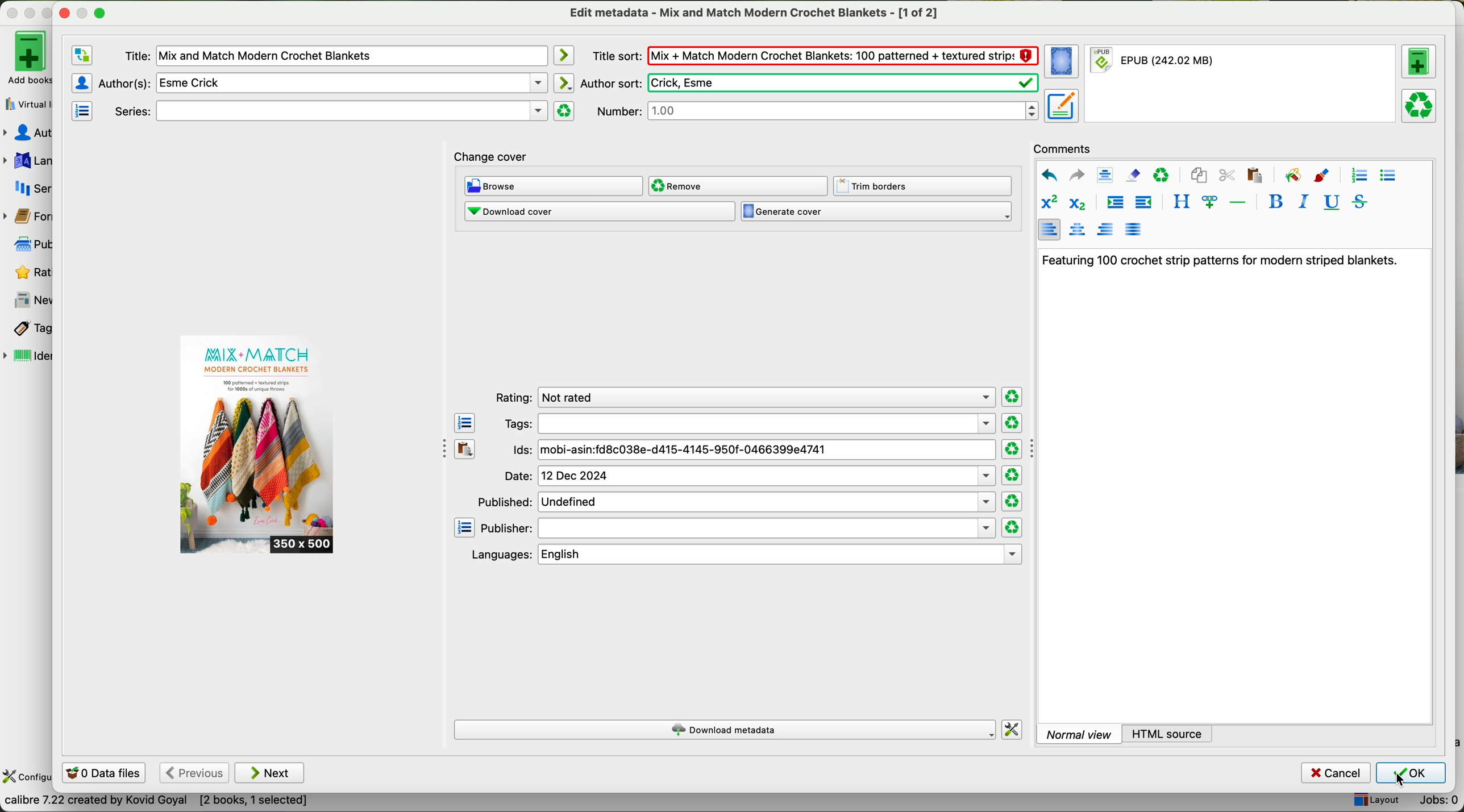  What do you see at coordinates (1079, 734) in the screenshot?
I see `normal view` at bounding box center [1079, 734].